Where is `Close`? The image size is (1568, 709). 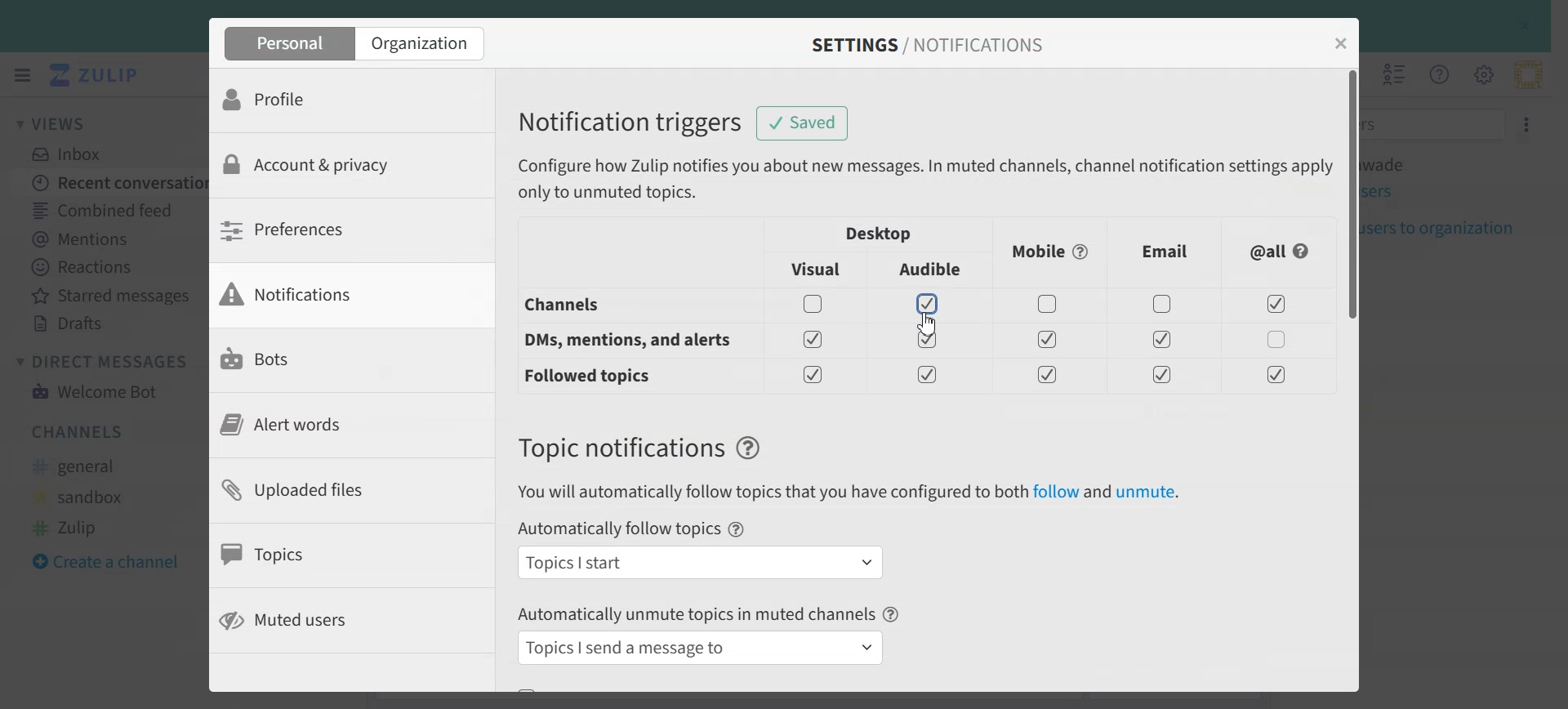
Close is located at coordinates (1342, 43).